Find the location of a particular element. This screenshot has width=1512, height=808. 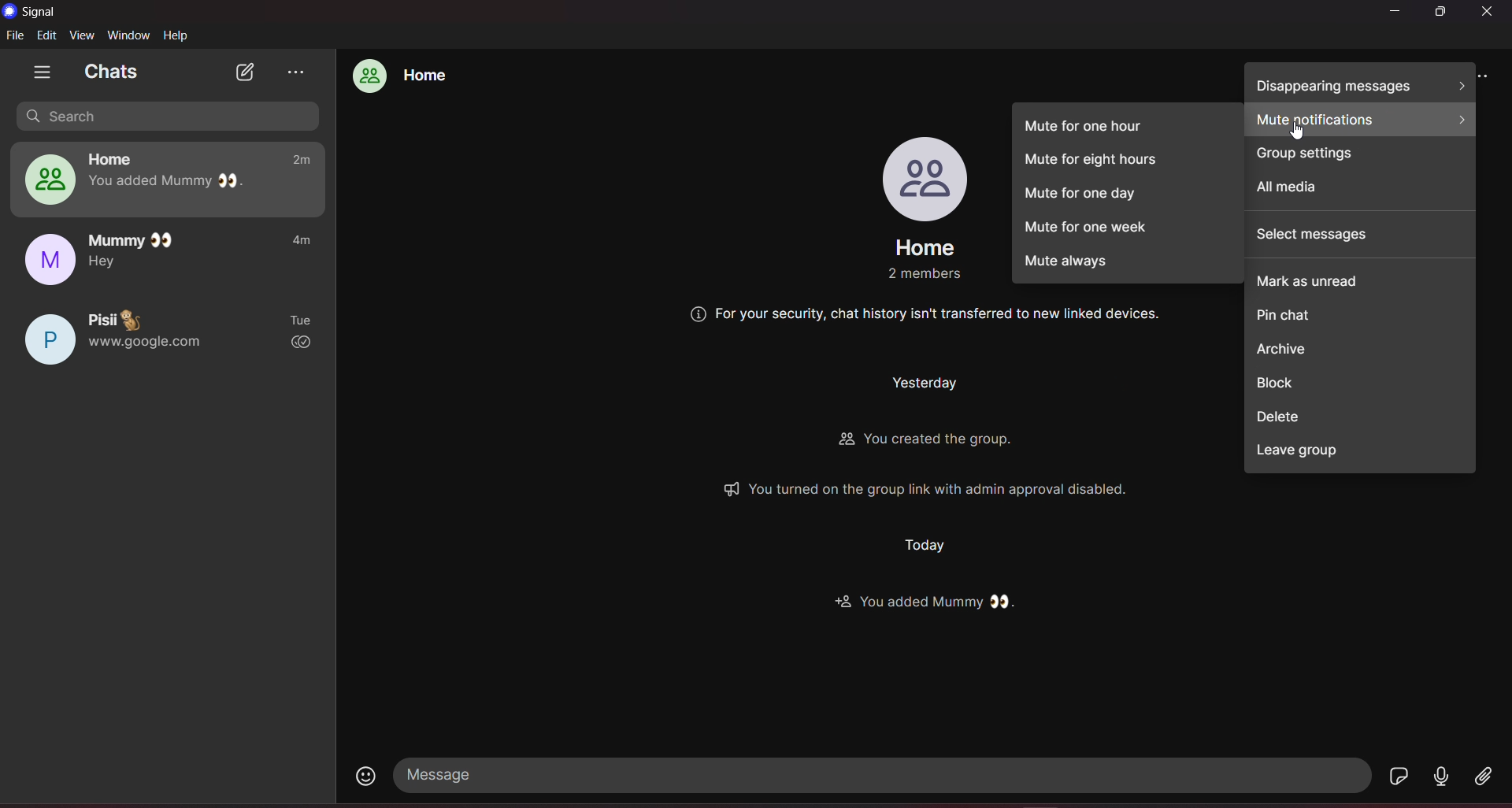

mute for eight hours is located at coordinates (1125, 162).